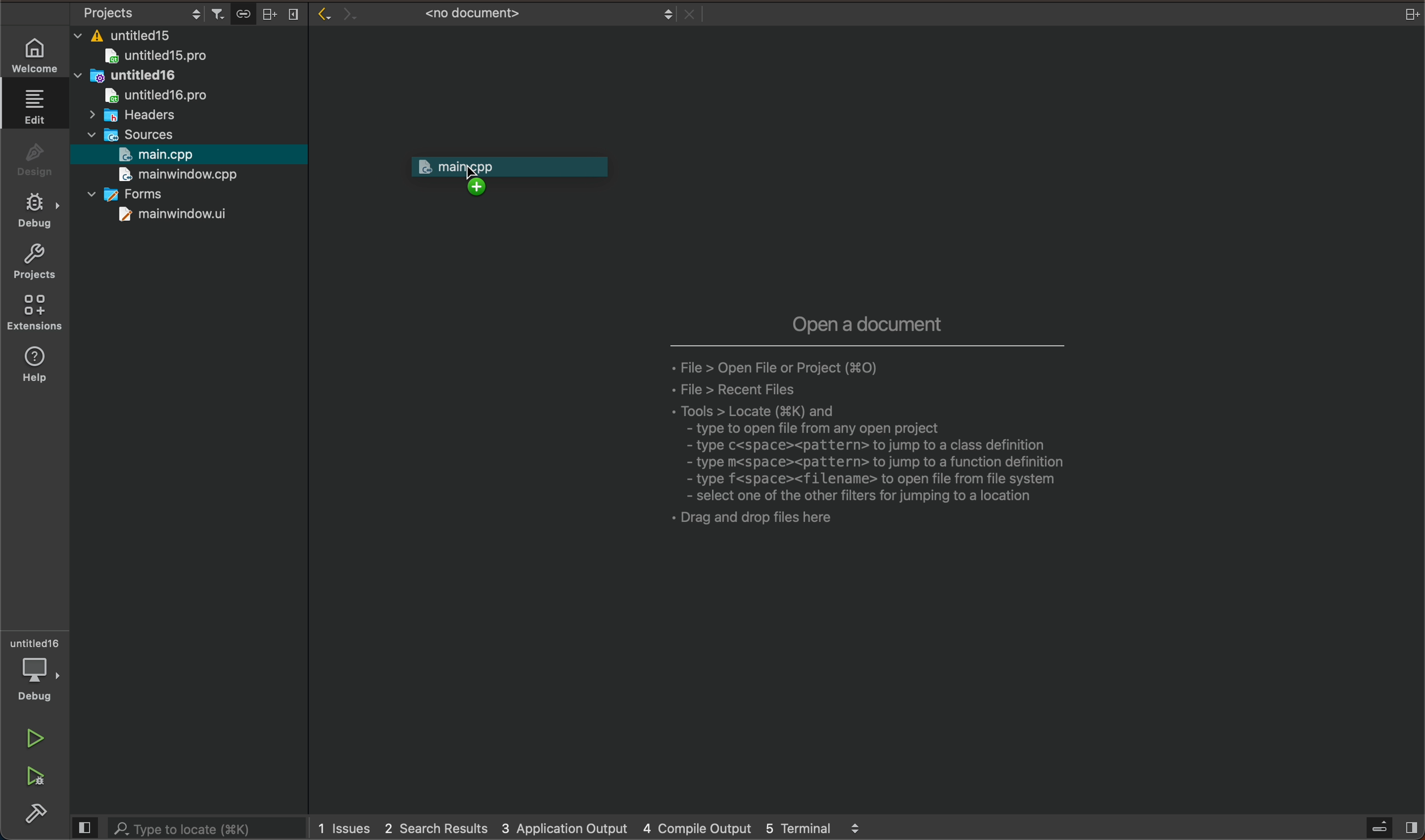 Image resolution: width=1425 pixels, height=840 pixels. What do you see at coordinates (35, 212) in the screenshot?
I see `debug` at bounding box center [35, 212].